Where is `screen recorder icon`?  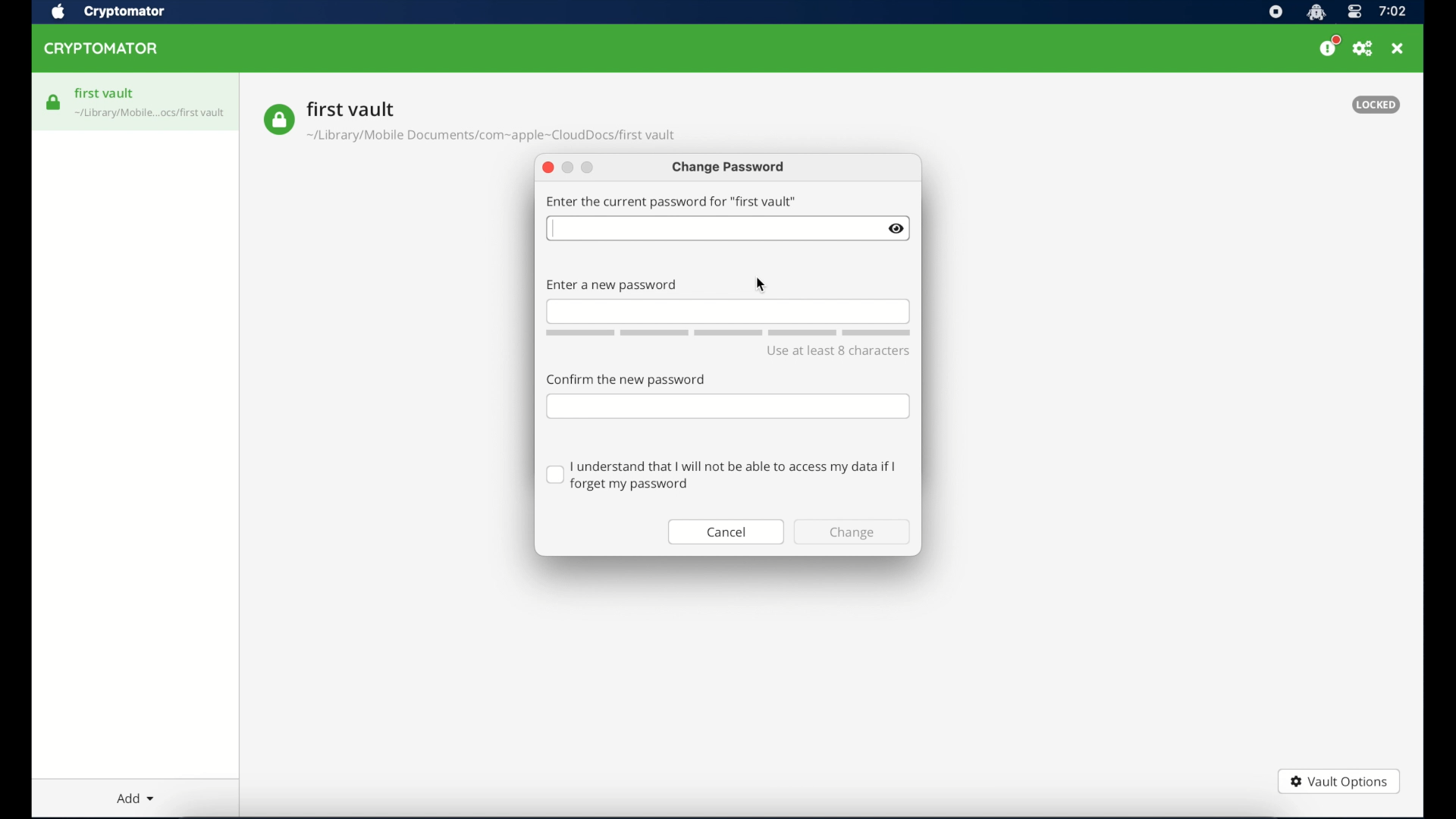 screen recorder icon is located at coordinates (1276, 13).